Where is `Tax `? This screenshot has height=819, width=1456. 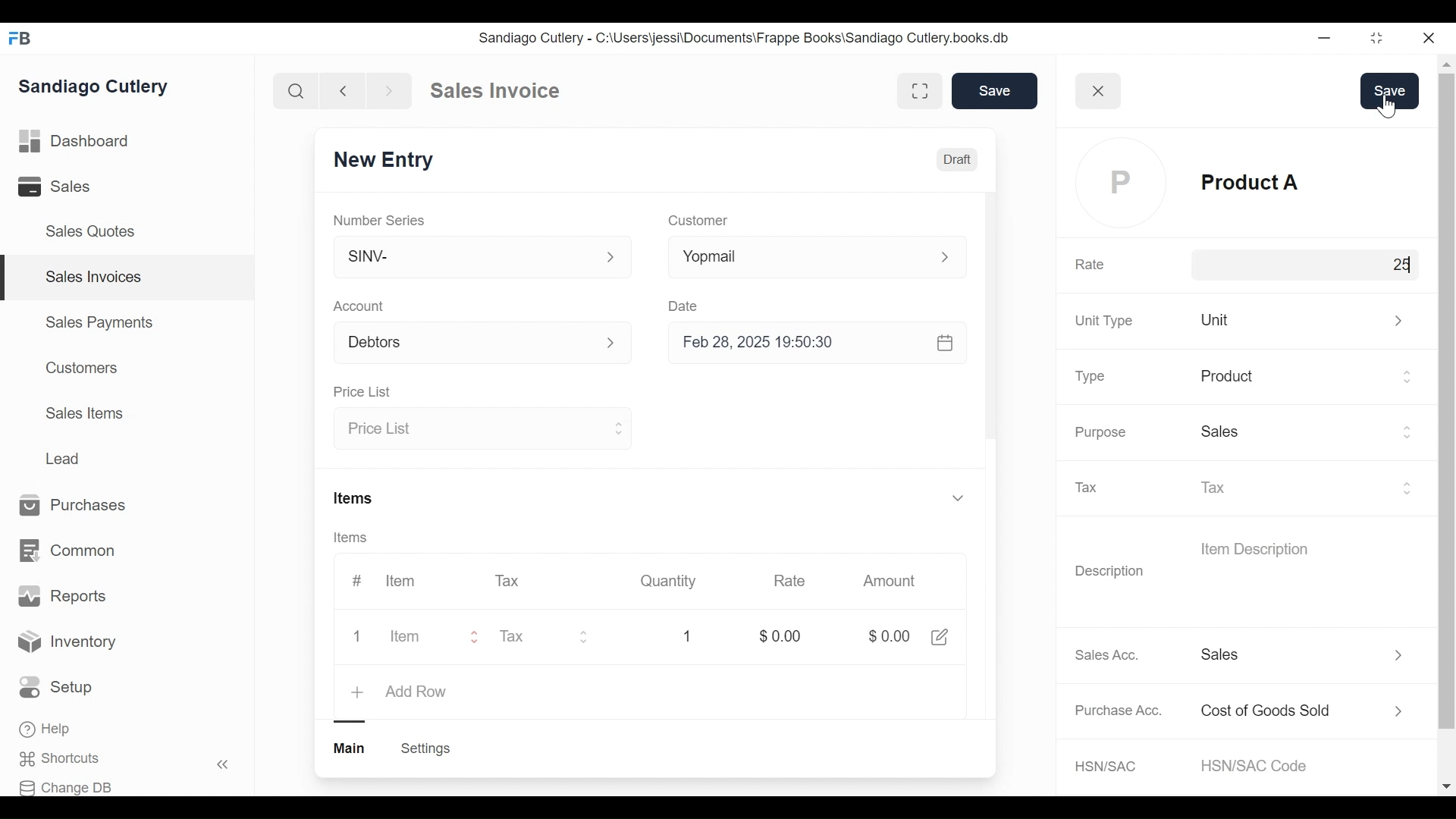
Tax  is located at coordinates (553, 635).